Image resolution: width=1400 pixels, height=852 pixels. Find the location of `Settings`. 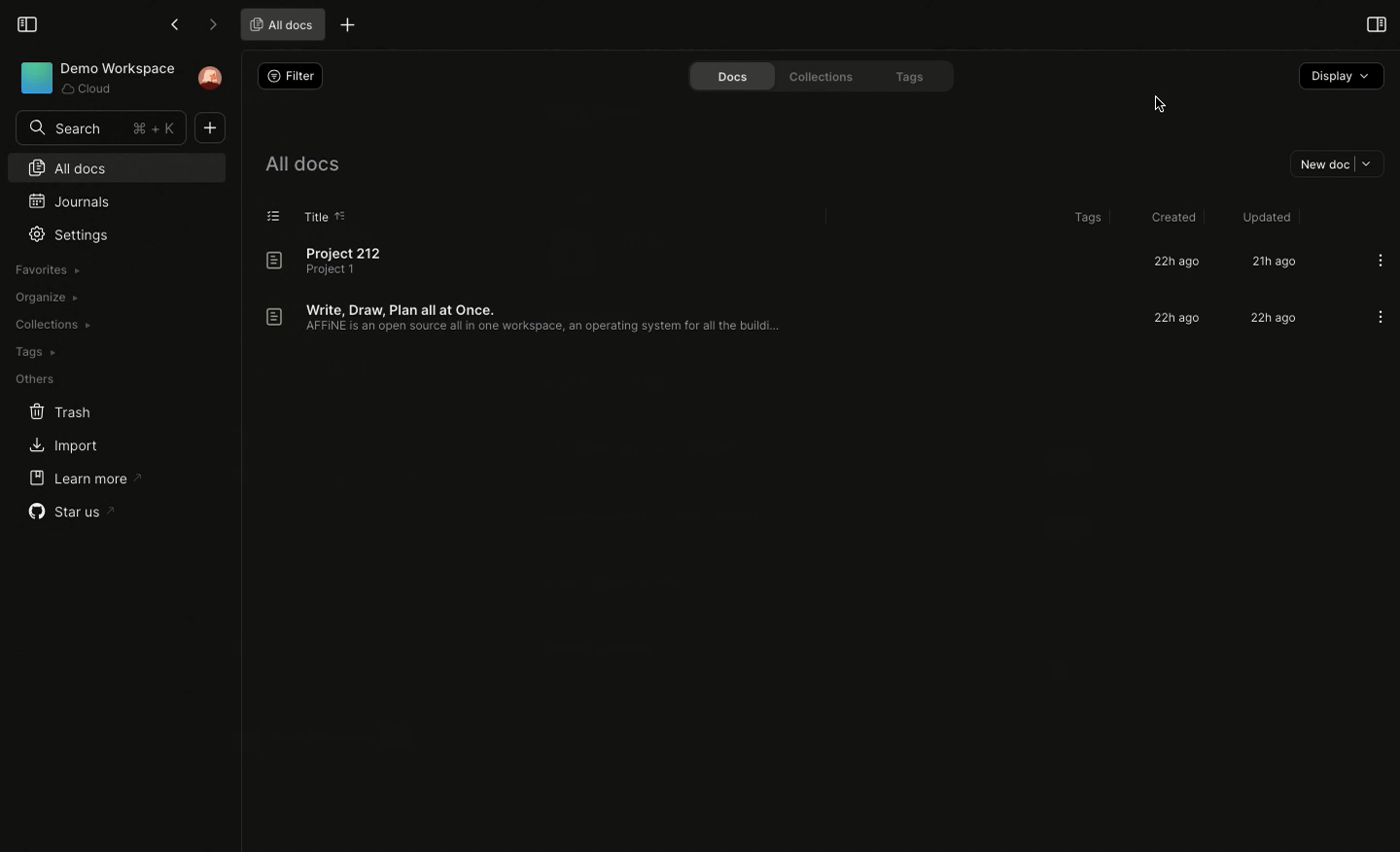

Settings is located at coordinates (73, 234).